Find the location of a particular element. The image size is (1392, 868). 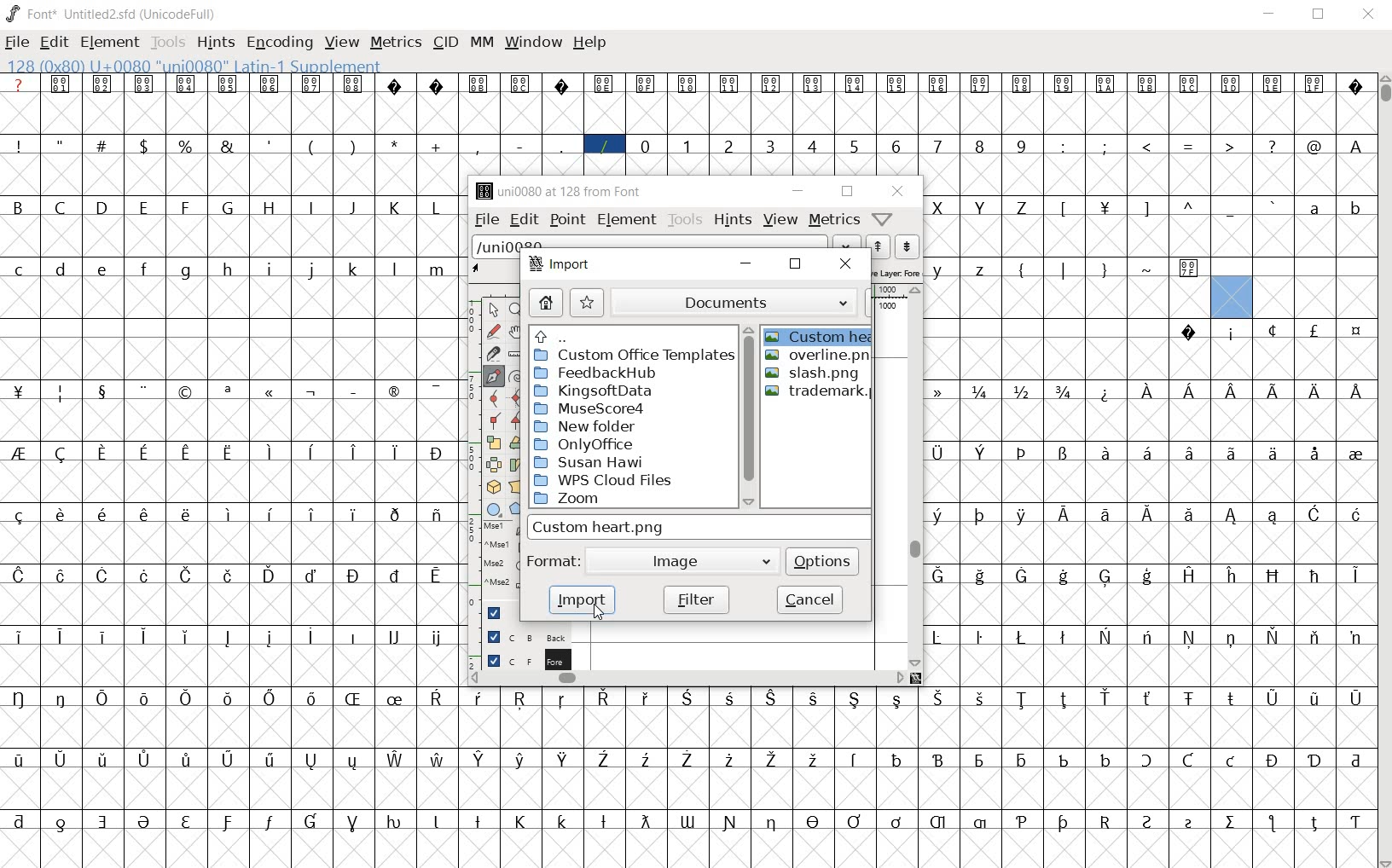

glyph is located at coordinates (270, 760).